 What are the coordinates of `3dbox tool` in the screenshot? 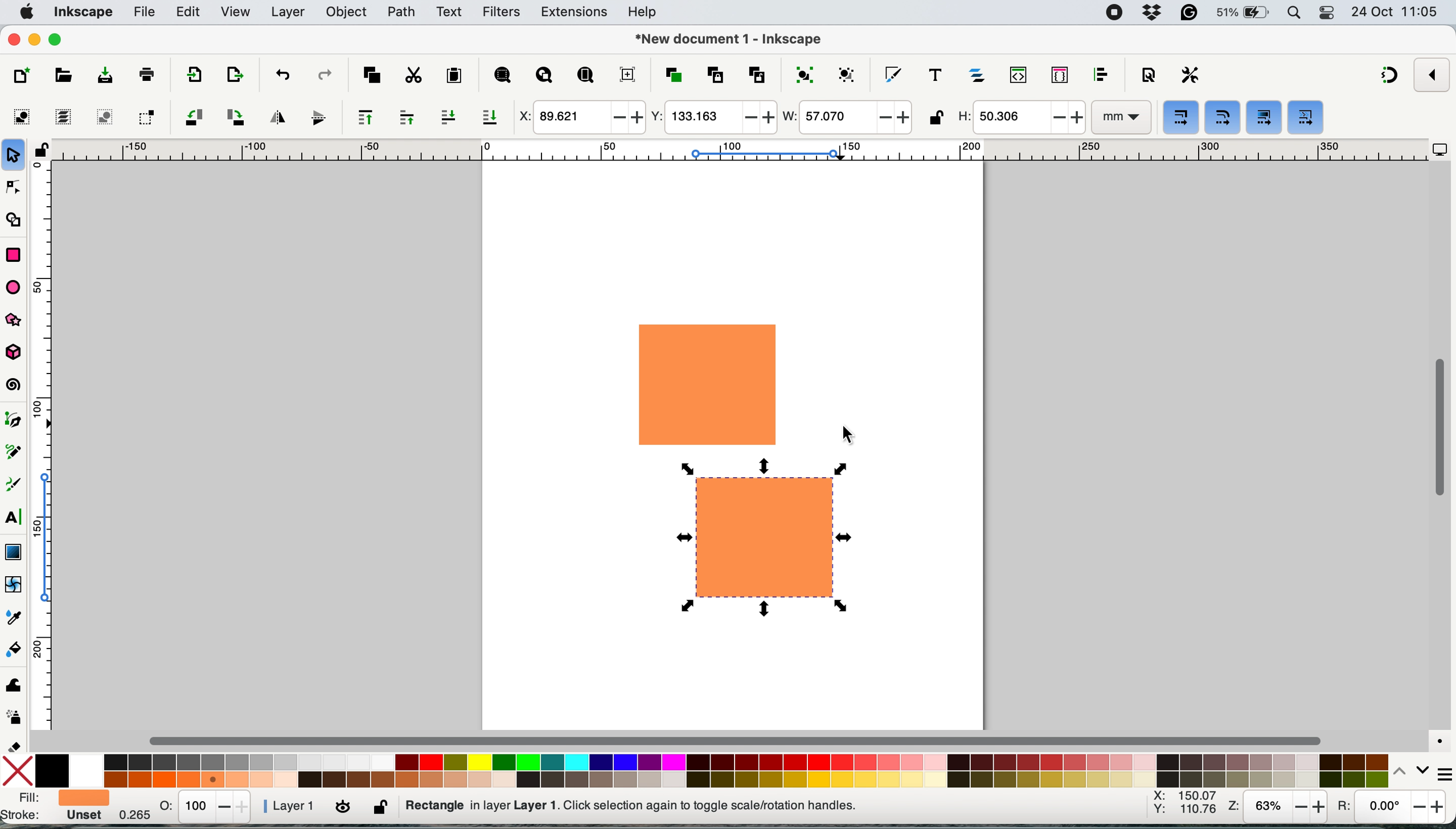 It's located at (19, 353).